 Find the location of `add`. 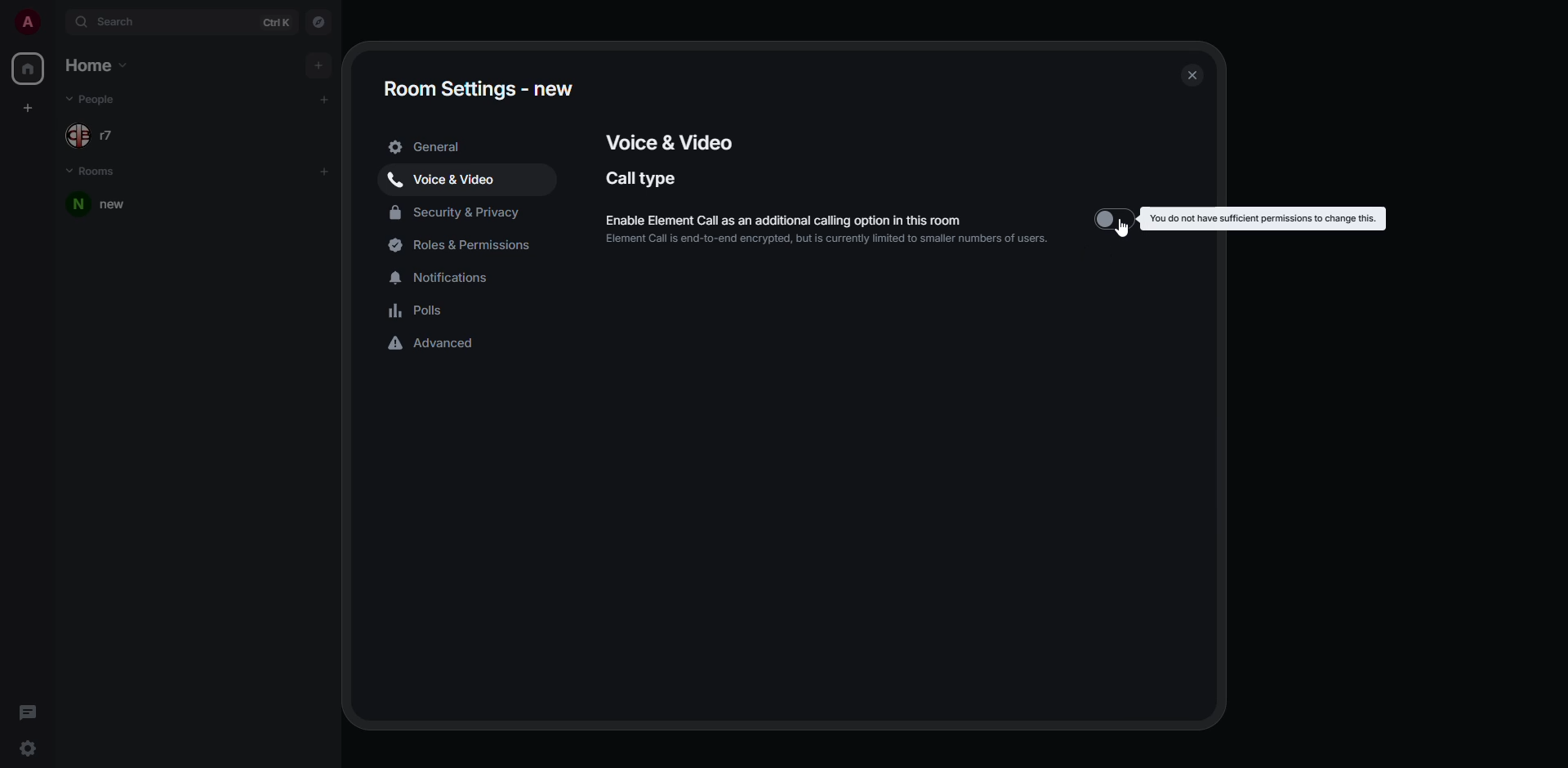

add is located at coordinates (325, 171).